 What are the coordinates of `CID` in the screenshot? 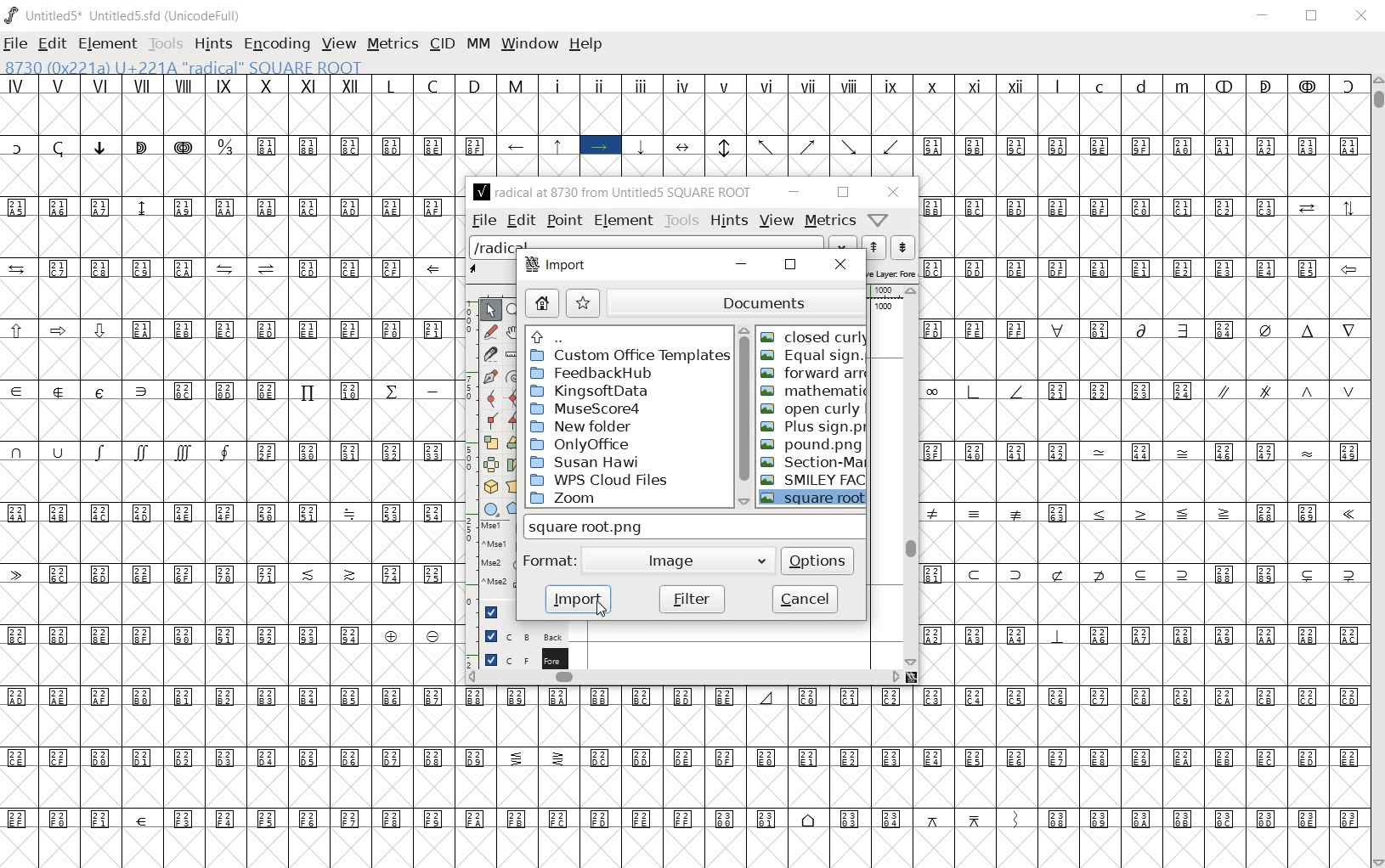 It's located at (441, 43).